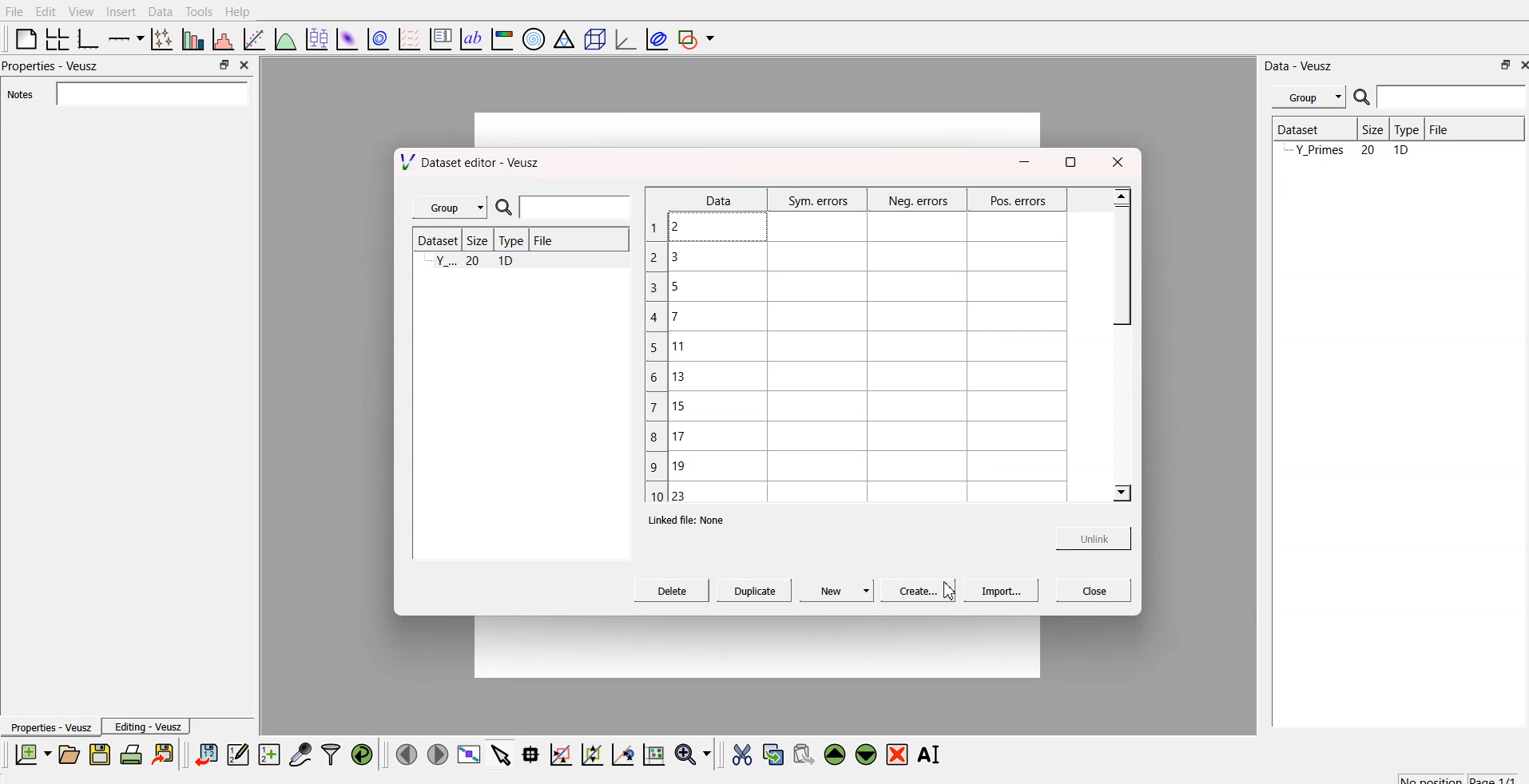 The image size is (1529, 784). What do you see at coordinates (124, 37) in the screenshot?
I see `plot on axis` at bounding box center [124, 37].